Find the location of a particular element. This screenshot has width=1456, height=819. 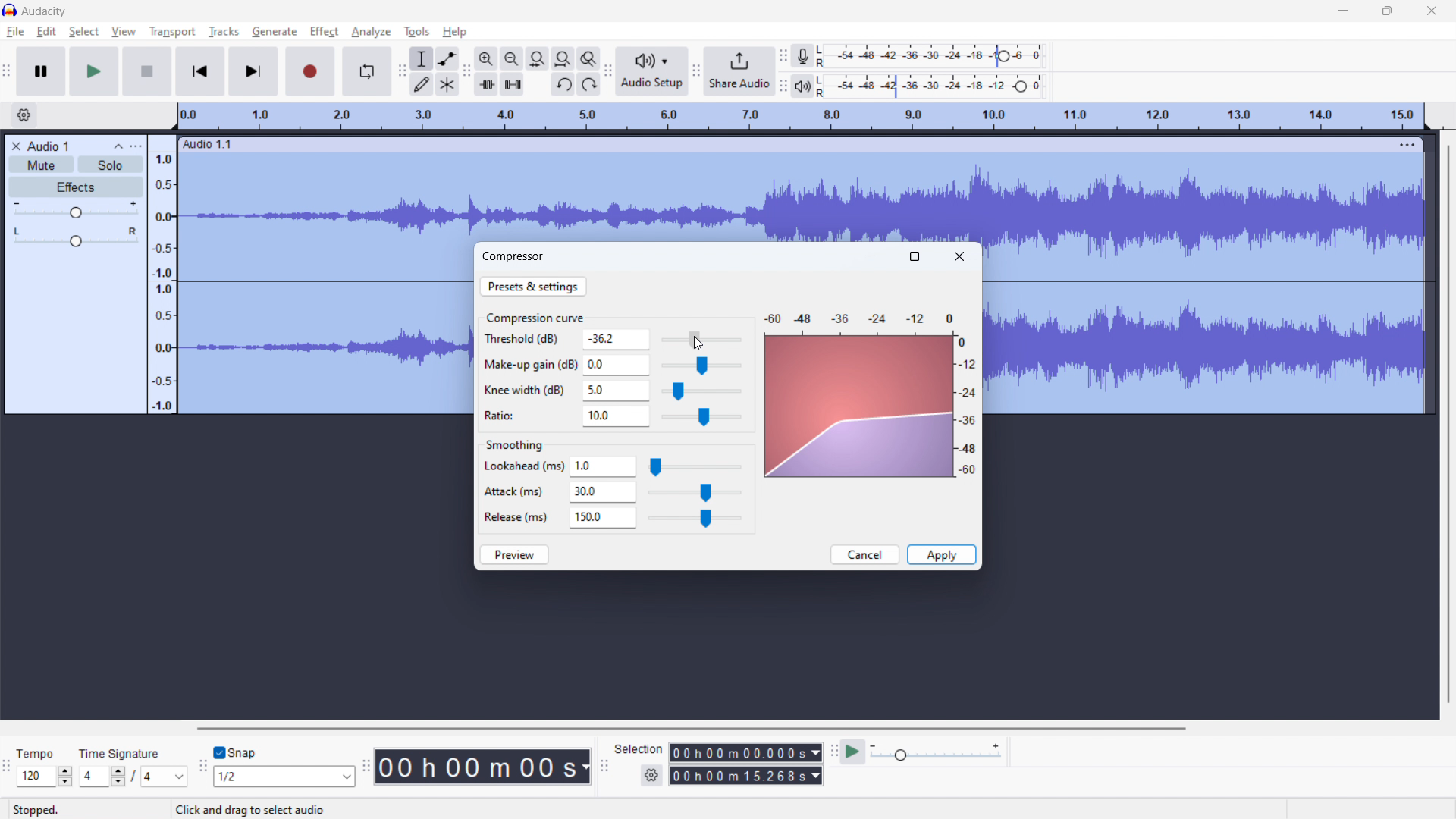

-60 -48 -36 24 -12 0 (Curve x-axis) is located at coordinates (854, 314).